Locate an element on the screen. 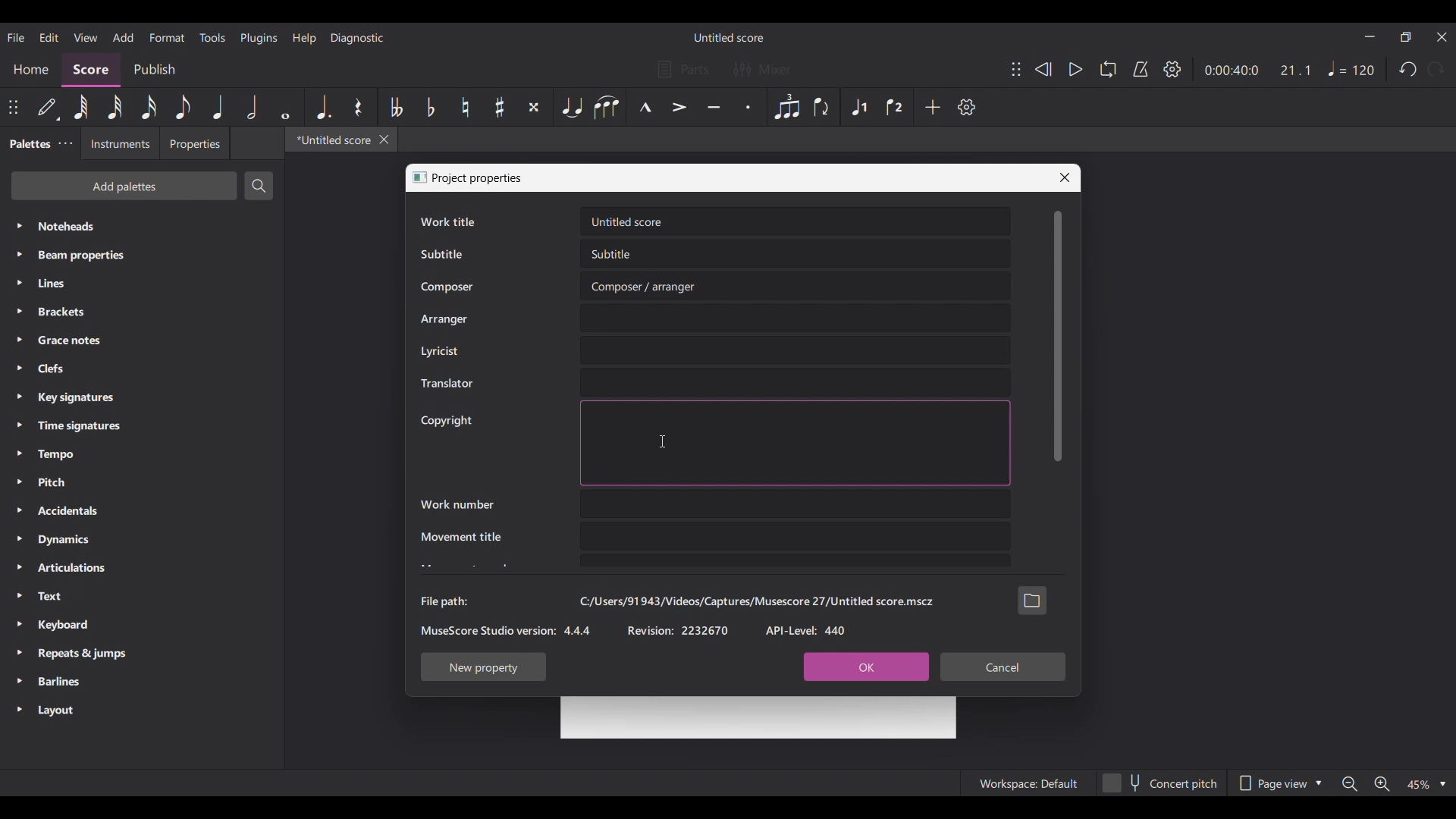 This screenshot has height=819, width=1456. Work number is located at coordinates (457, 504).